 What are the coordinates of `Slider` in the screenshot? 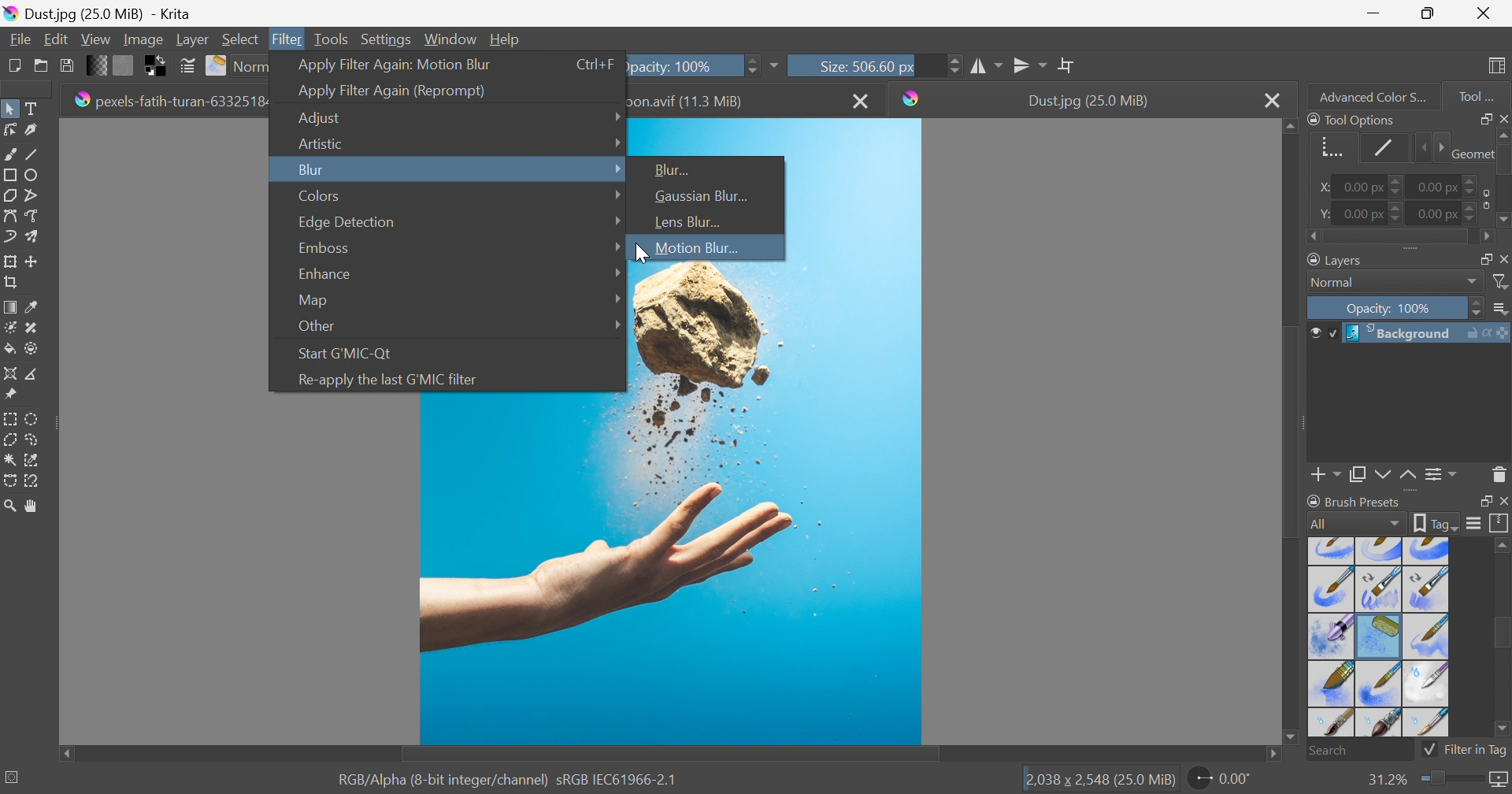 It's located at (1430, 148).